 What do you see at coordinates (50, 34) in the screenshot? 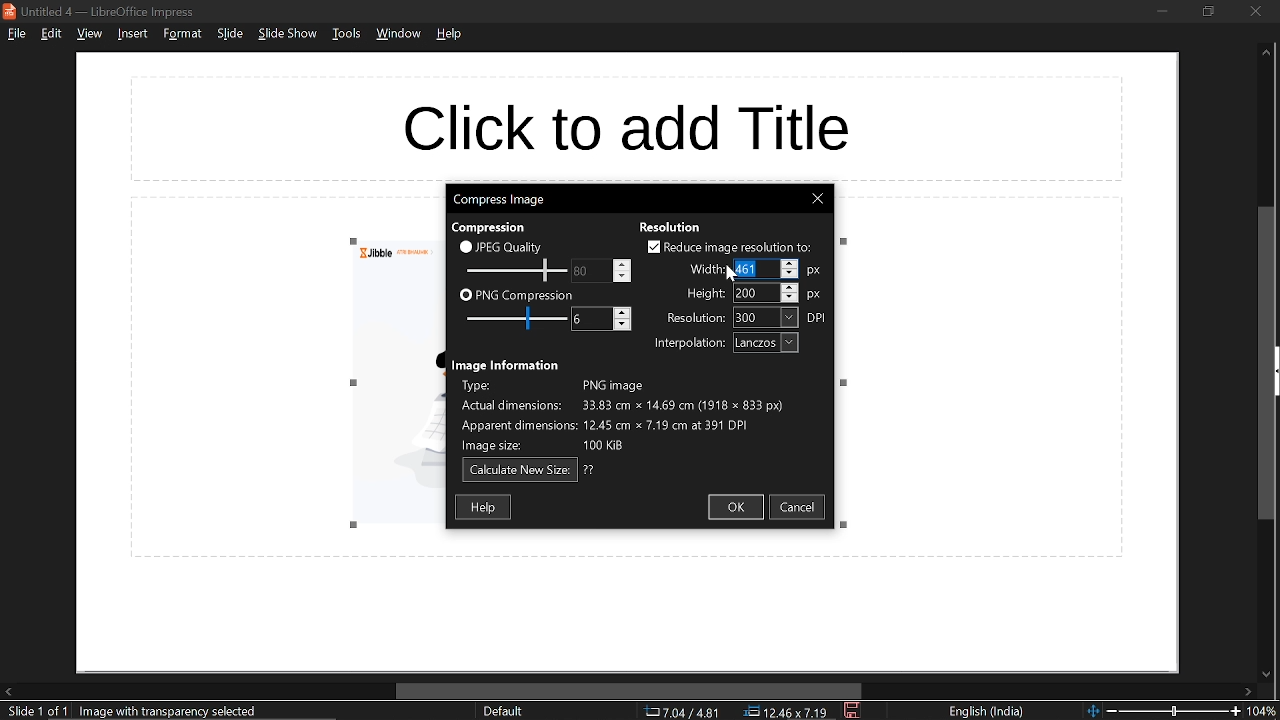
I see `edit` at bounding box center [50, 34].